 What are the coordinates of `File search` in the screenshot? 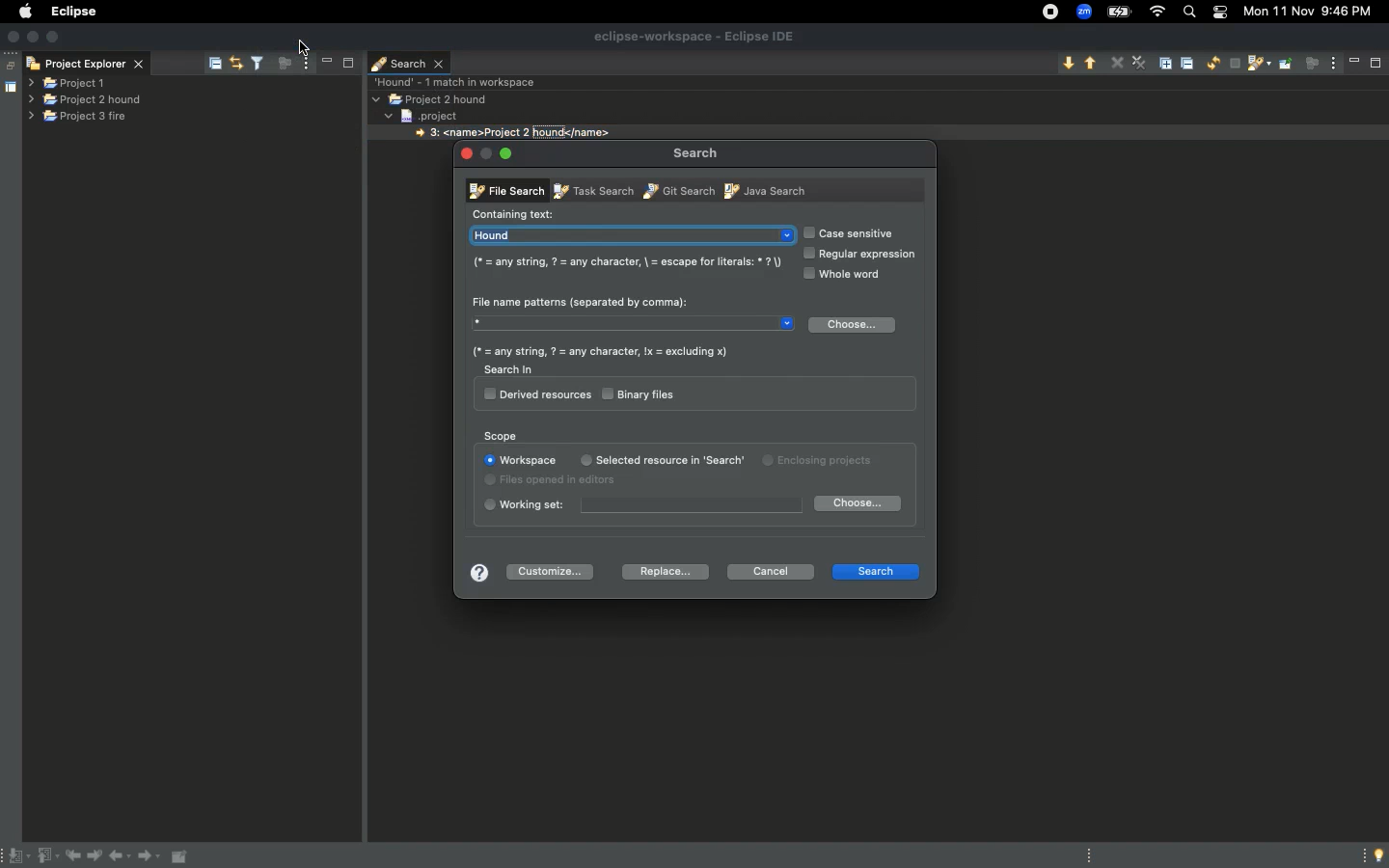 It's located at (505, 192).